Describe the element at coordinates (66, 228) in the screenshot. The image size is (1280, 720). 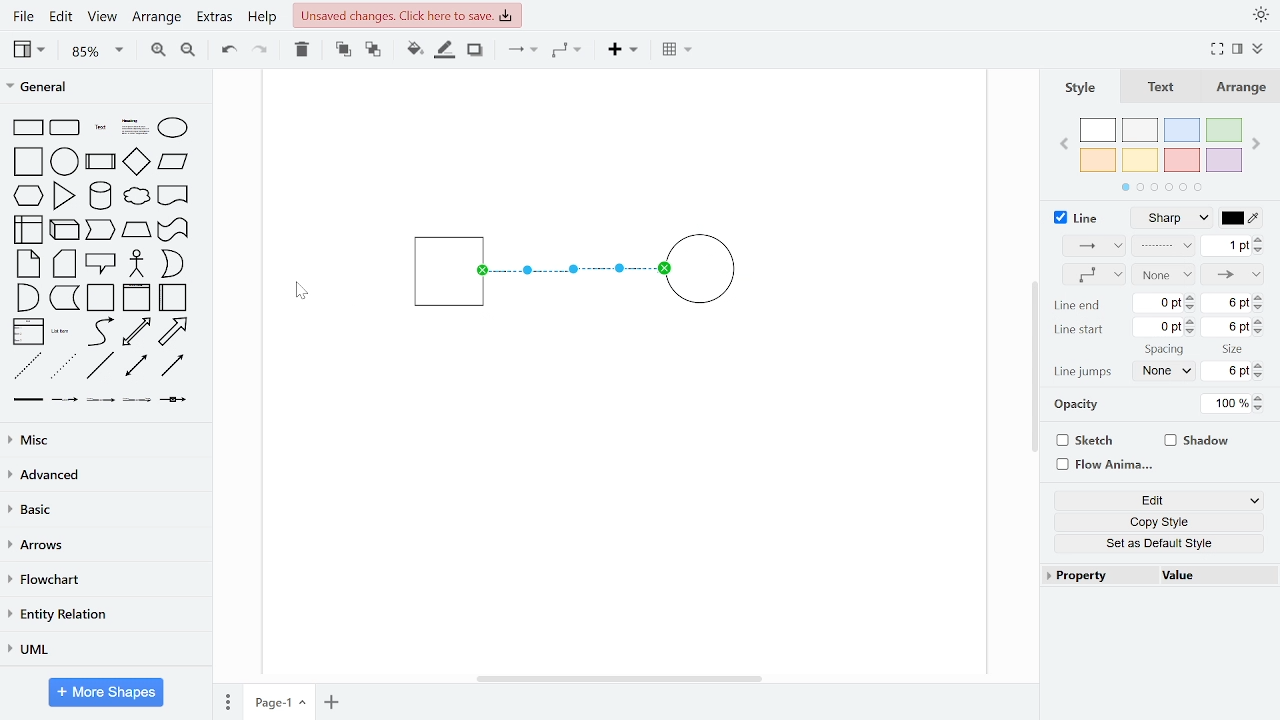
I see `cube` at that location.